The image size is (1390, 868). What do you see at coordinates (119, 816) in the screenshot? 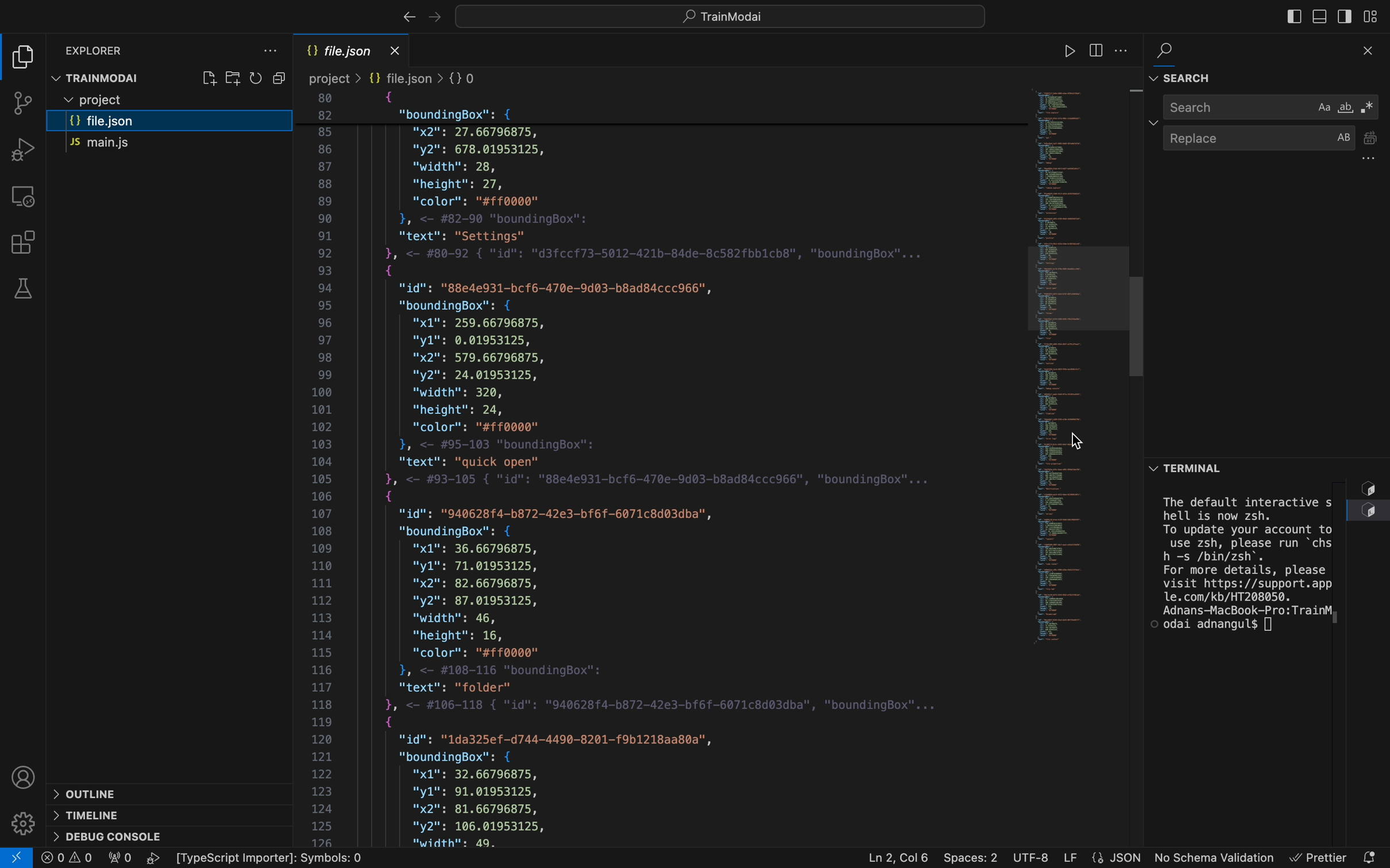
I see `timeline` at bounding box center [119, 816].